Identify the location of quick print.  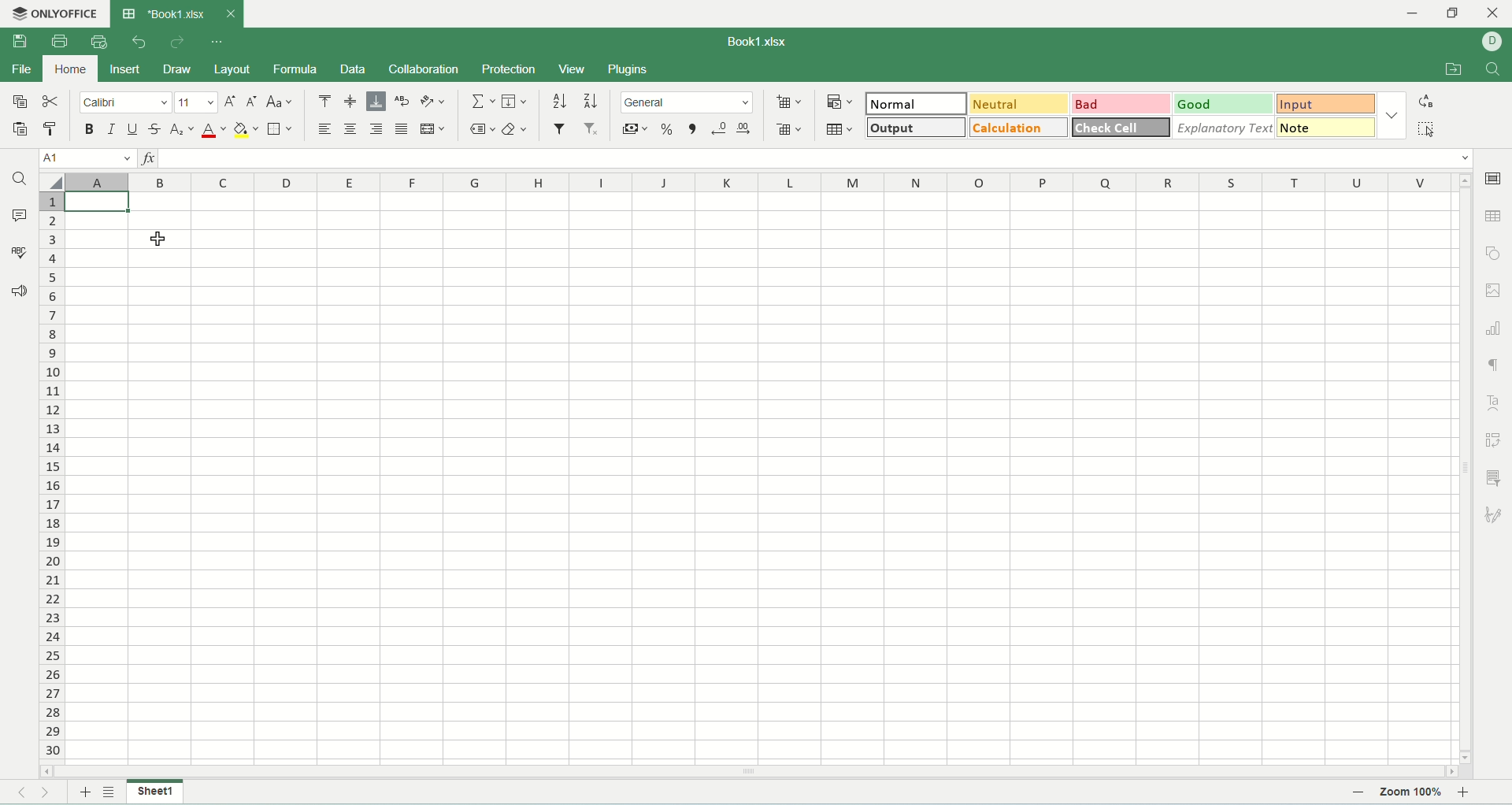
(100, 40).